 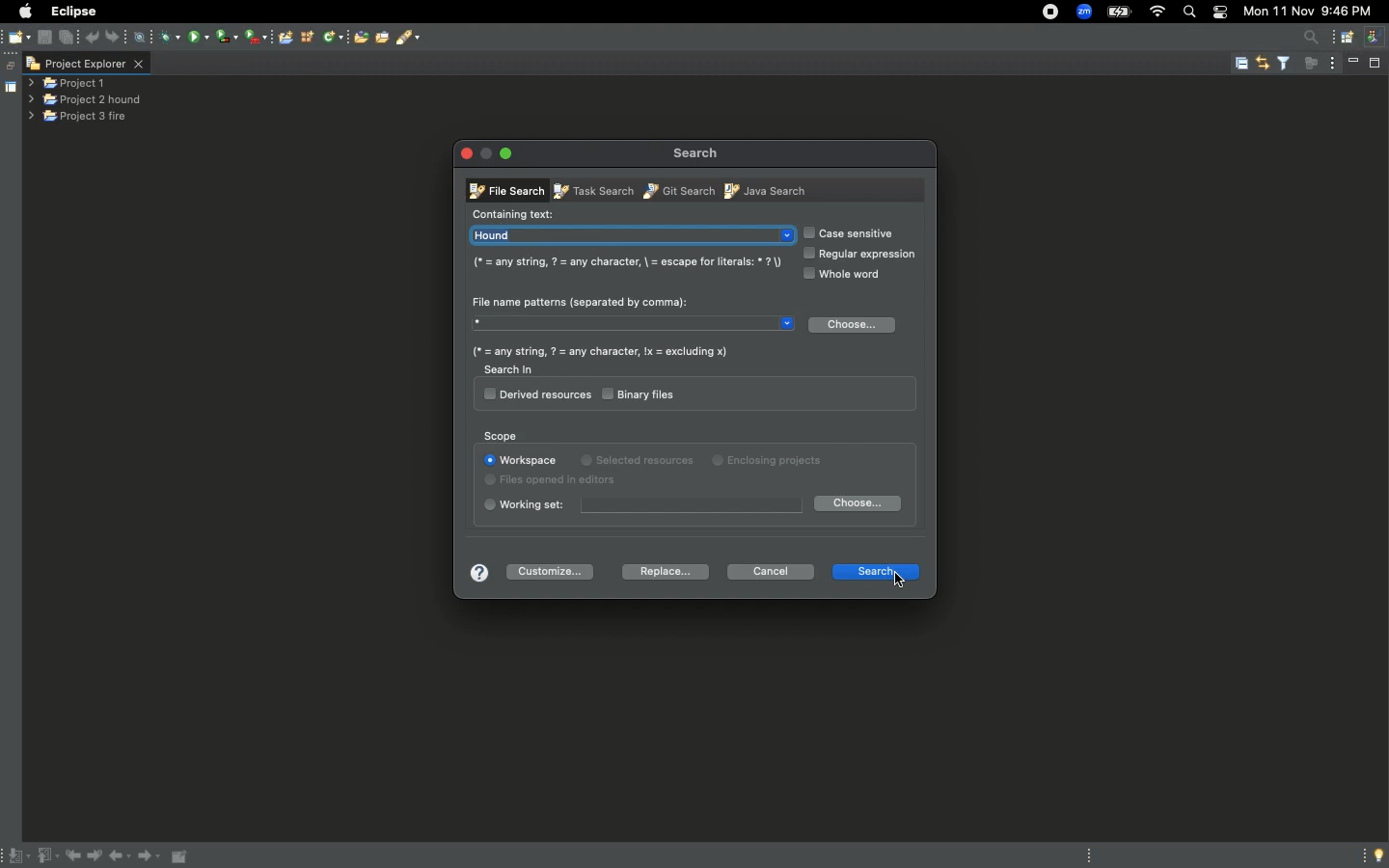 What do you see at coordinates (486, 152) in the screenshot?
I see `minimise` at bounding box center [486, 152].